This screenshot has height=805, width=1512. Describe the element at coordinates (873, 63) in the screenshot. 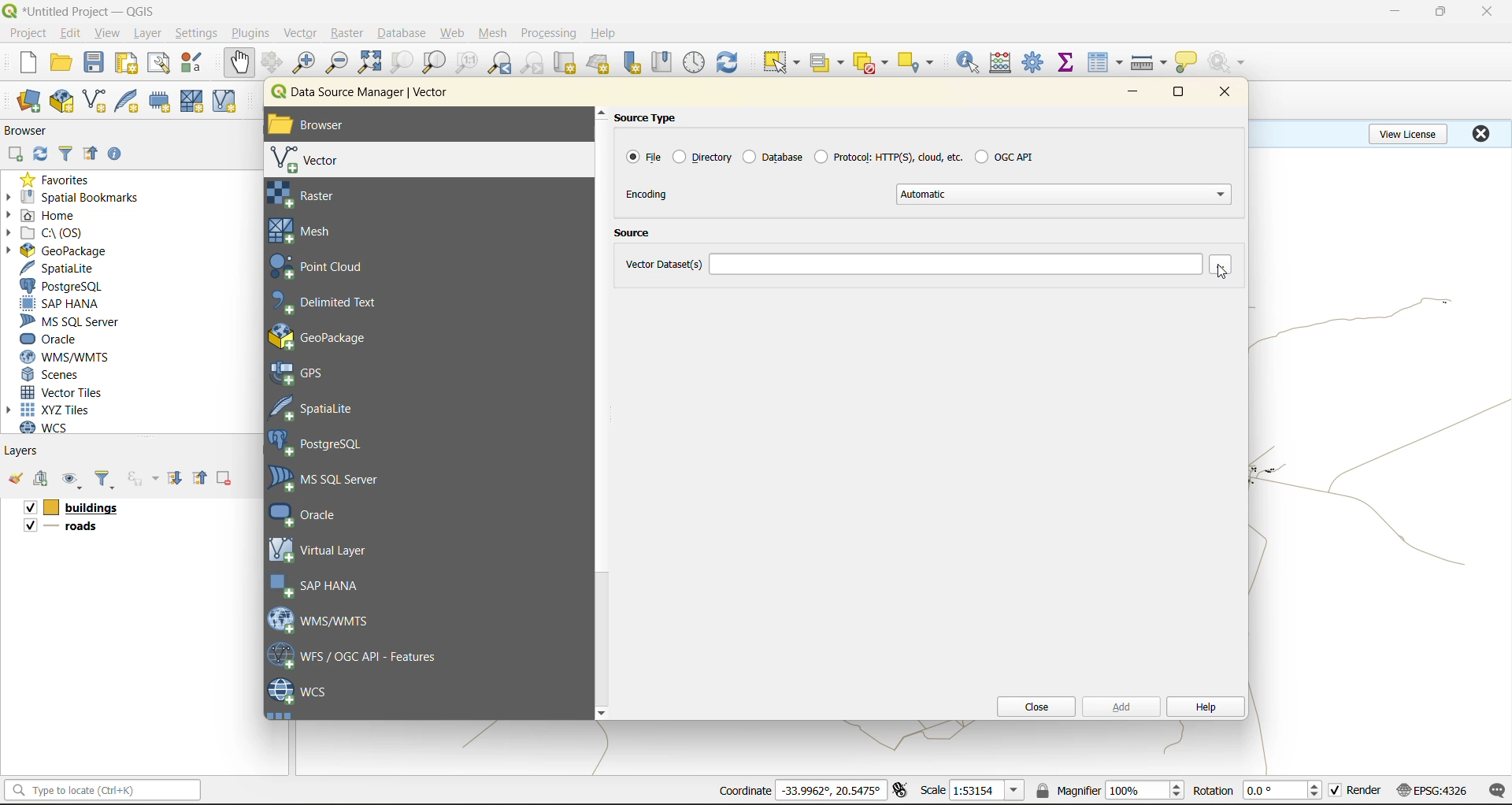

I see `deselect value` at that location.